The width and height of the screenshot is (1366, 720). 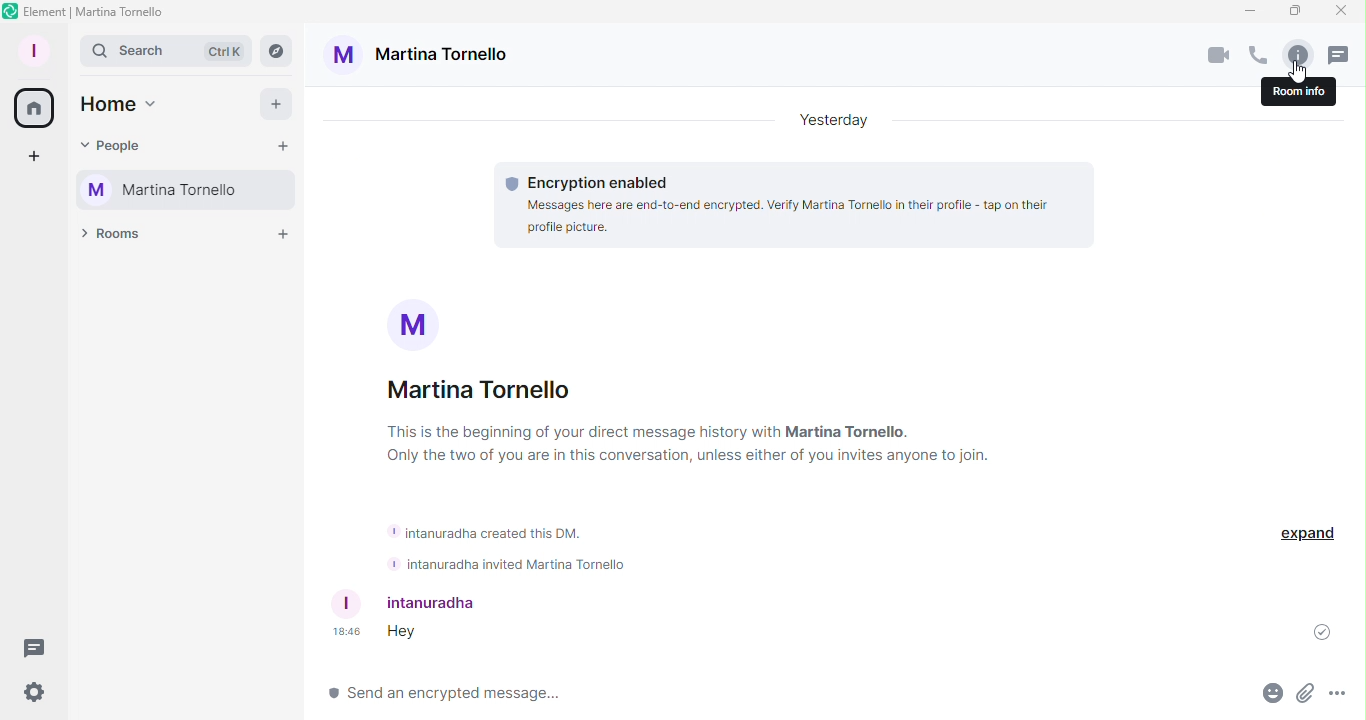 What do you see at coordinates (1249, 13) in the screenshot?
I see `Minimize` at bounding box center [1249, 13].